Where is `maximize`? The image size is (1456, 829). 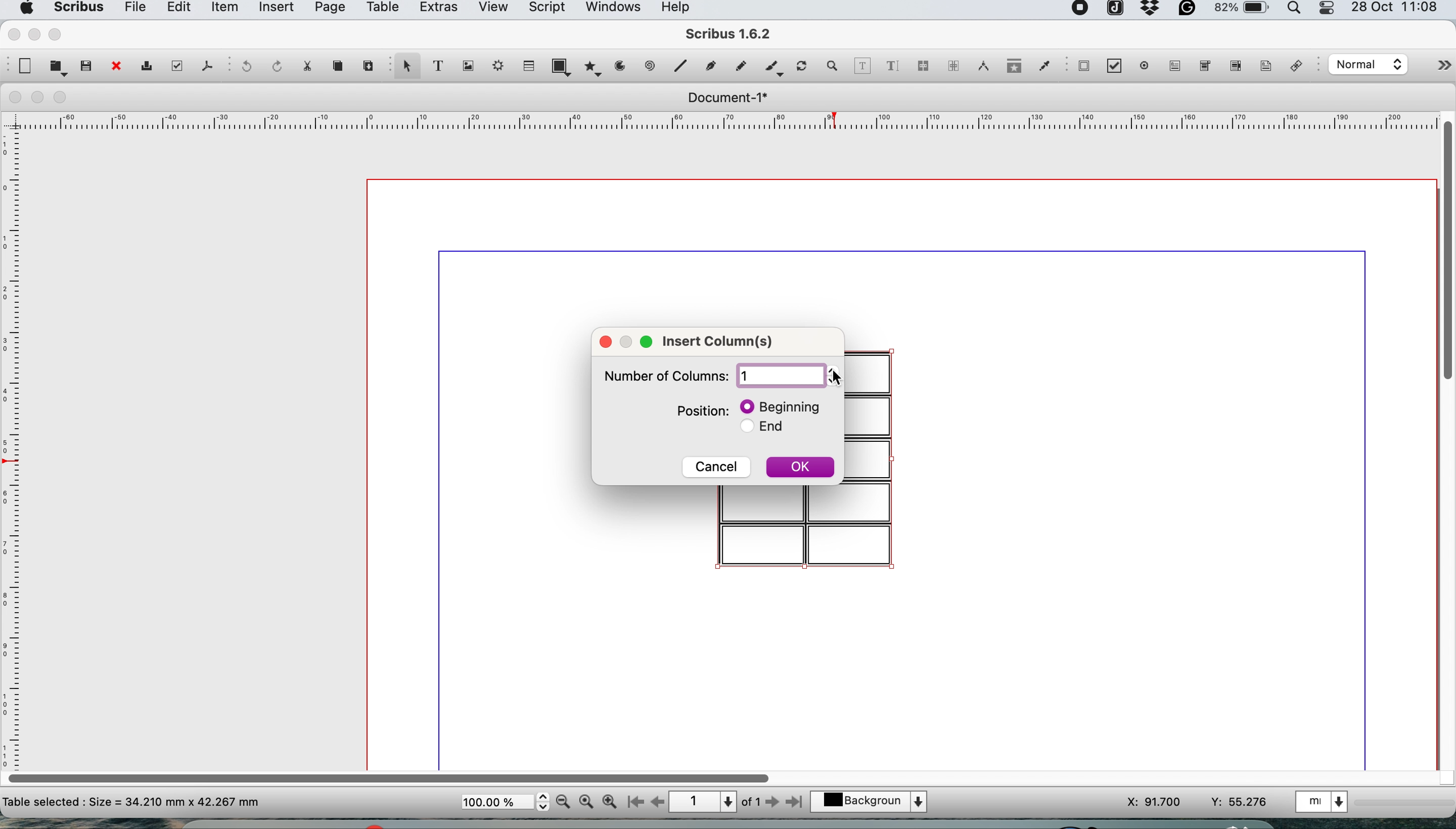 maximize is located at coordinates (649, 341).